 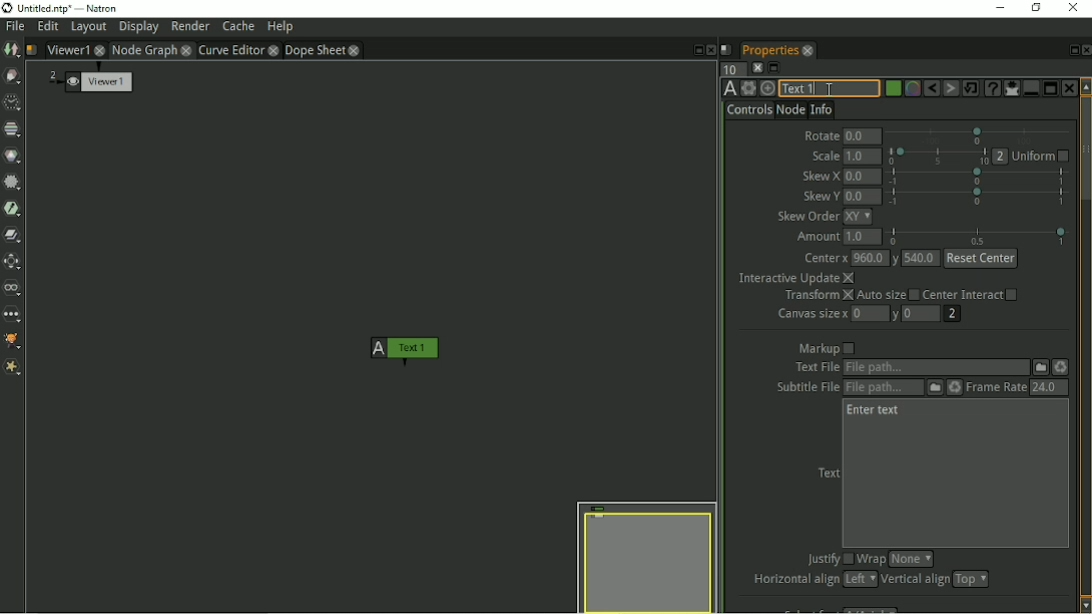 I want to click on Merge panel, so click(x=1030, y=88).